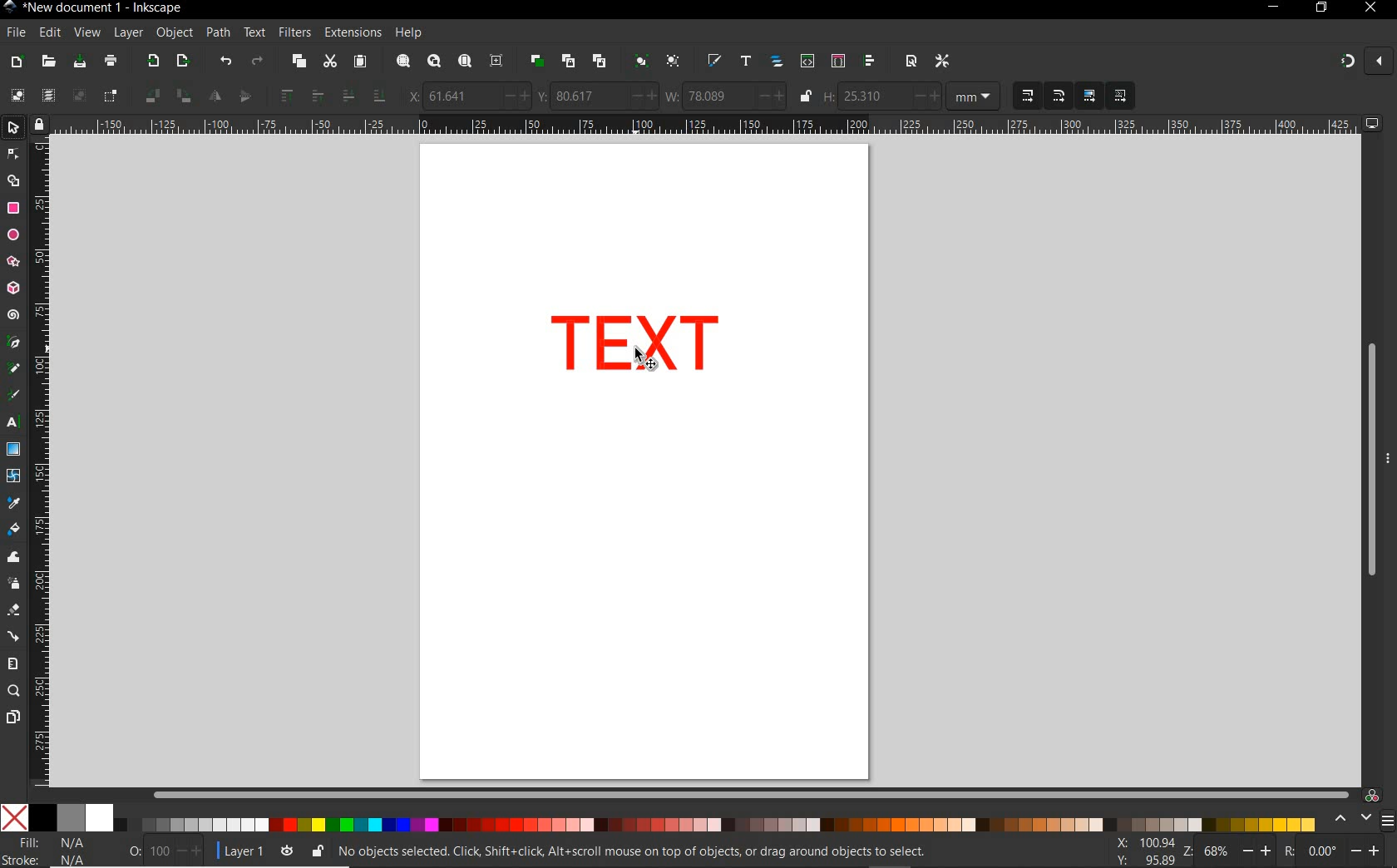 The image size is (1397, 868). Describe the element at coordinates (464, 61) in the screenshot. I see `zoom page` at that location.